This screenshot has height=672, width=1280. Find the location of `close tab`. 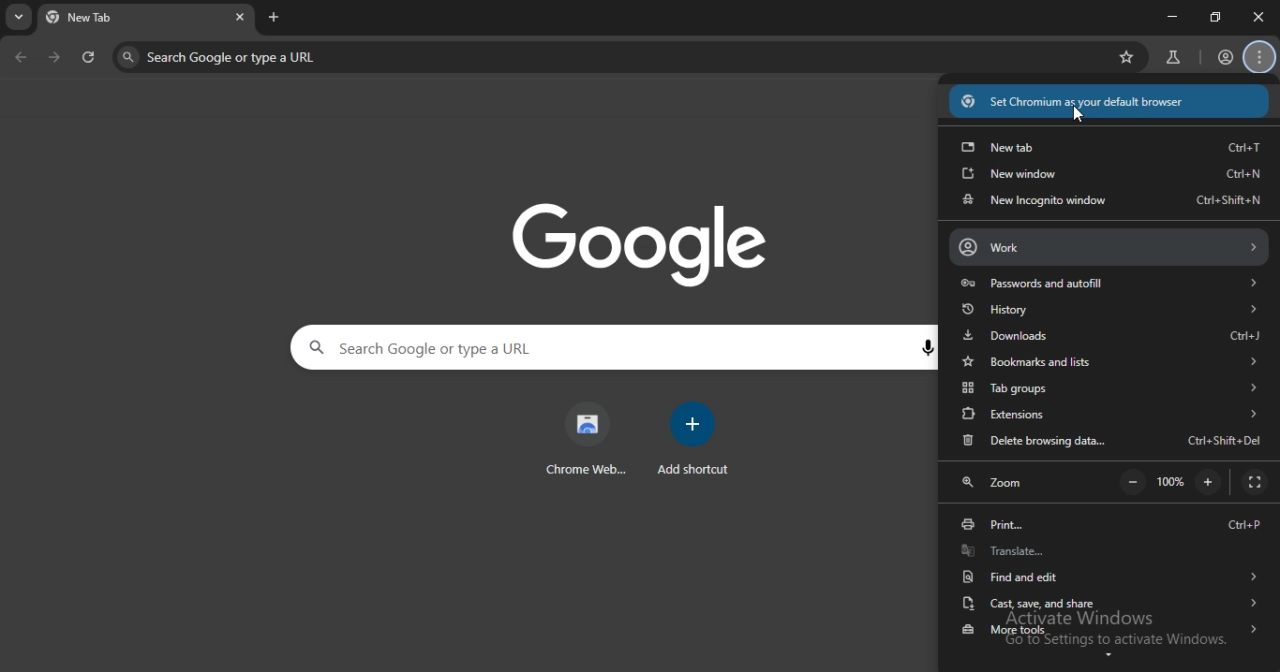

close tab is located at coordinates (1258, 17).